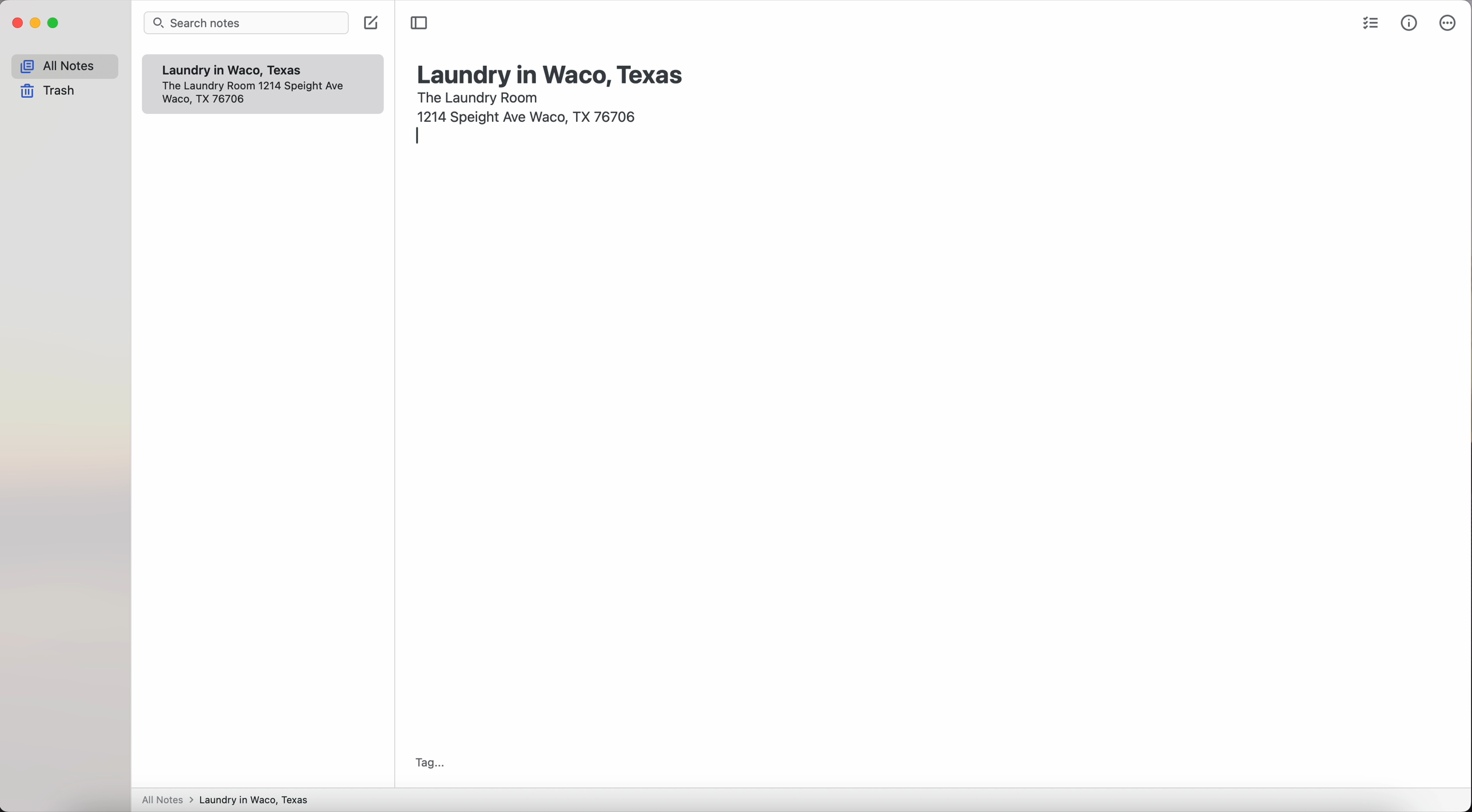  Describe the element at coordinates (239, 70) in the screenshot. I see `Laundry in Waco, Texas` at that location.